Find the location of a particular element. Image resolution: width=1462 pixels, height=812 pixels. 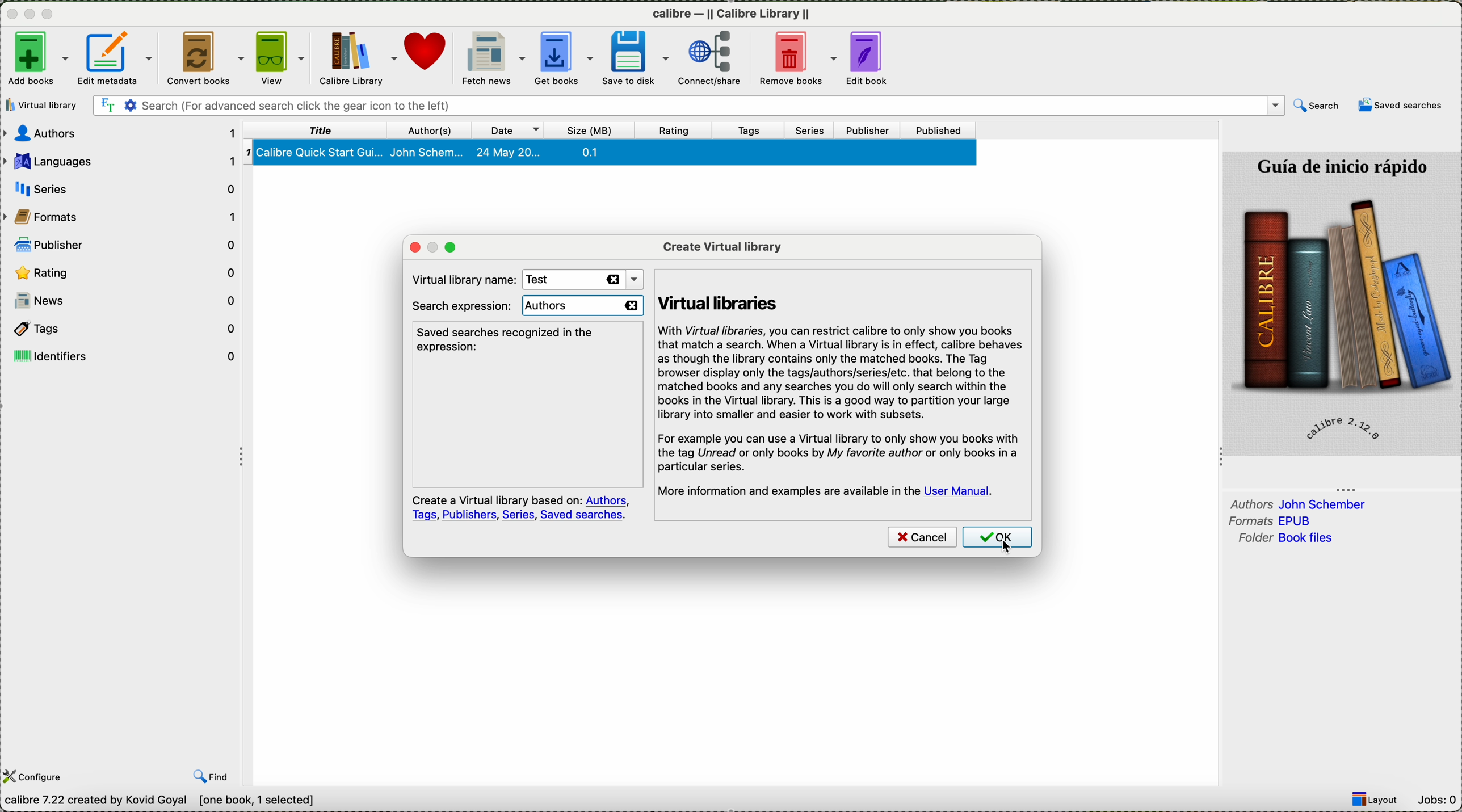

folder is located at coordinates (1283, 540).